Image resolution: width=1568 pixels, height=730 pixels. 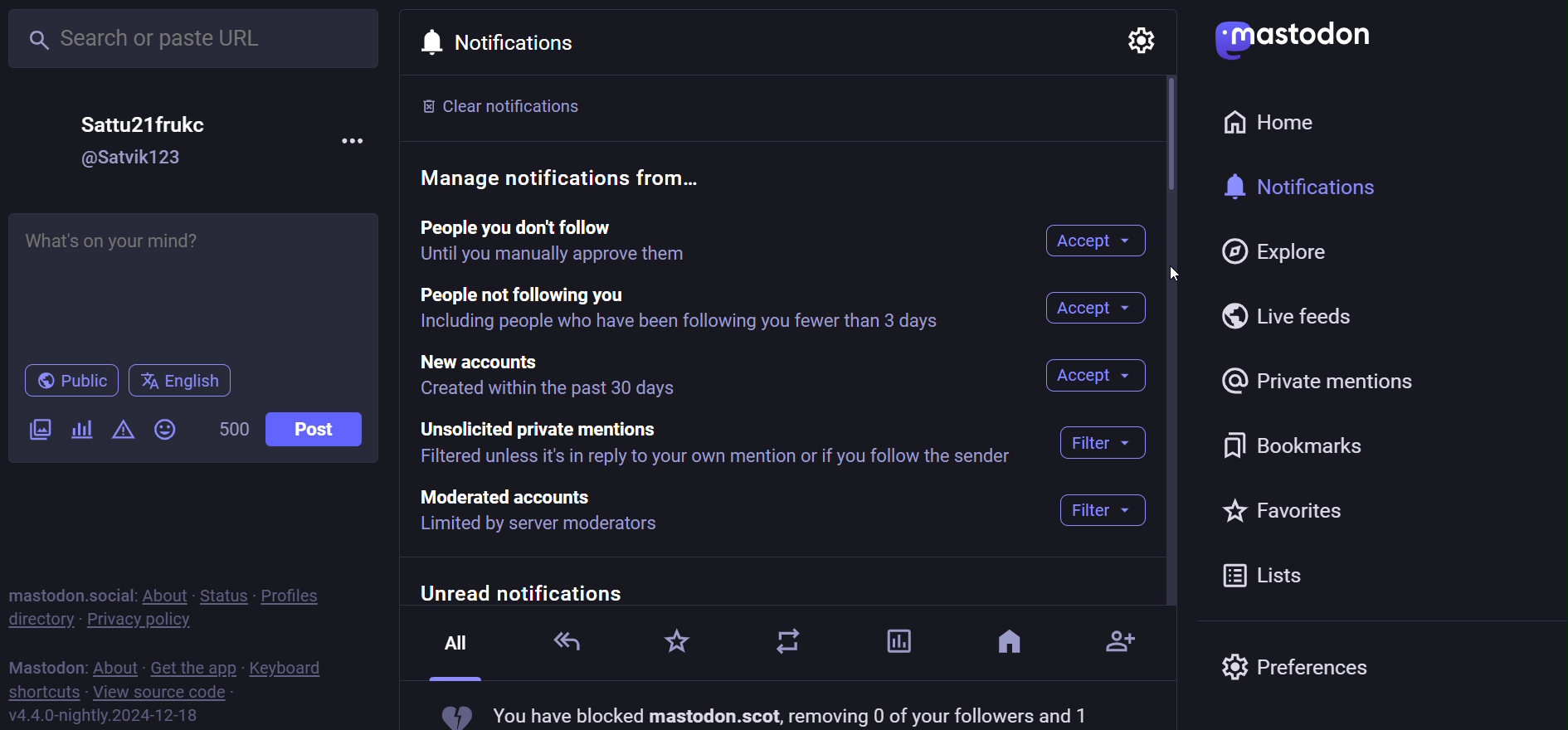 What do you see at coordinates (121, 431) in the screenshot?
I see `content warning` at bounding box center [121, 431].